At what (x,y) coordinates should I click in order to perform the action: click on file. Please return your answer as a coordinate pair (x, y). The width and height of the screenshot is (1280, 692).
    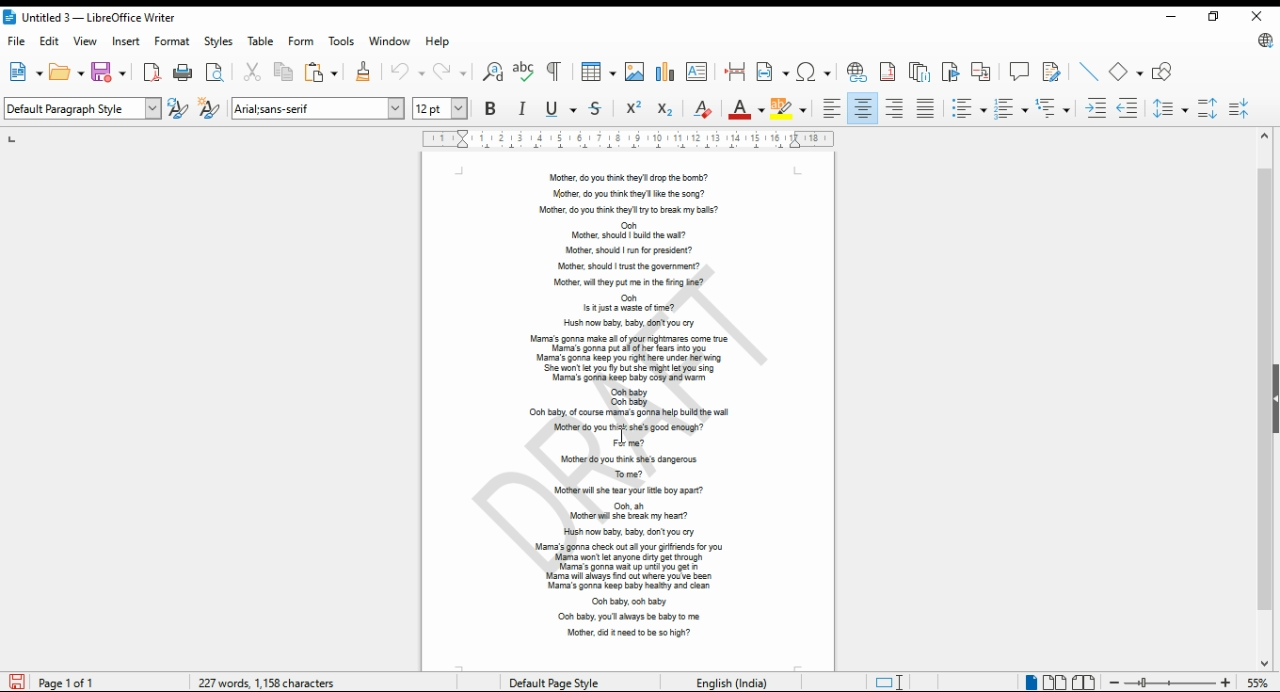
    Looking at the image, I should click on (17, 43).